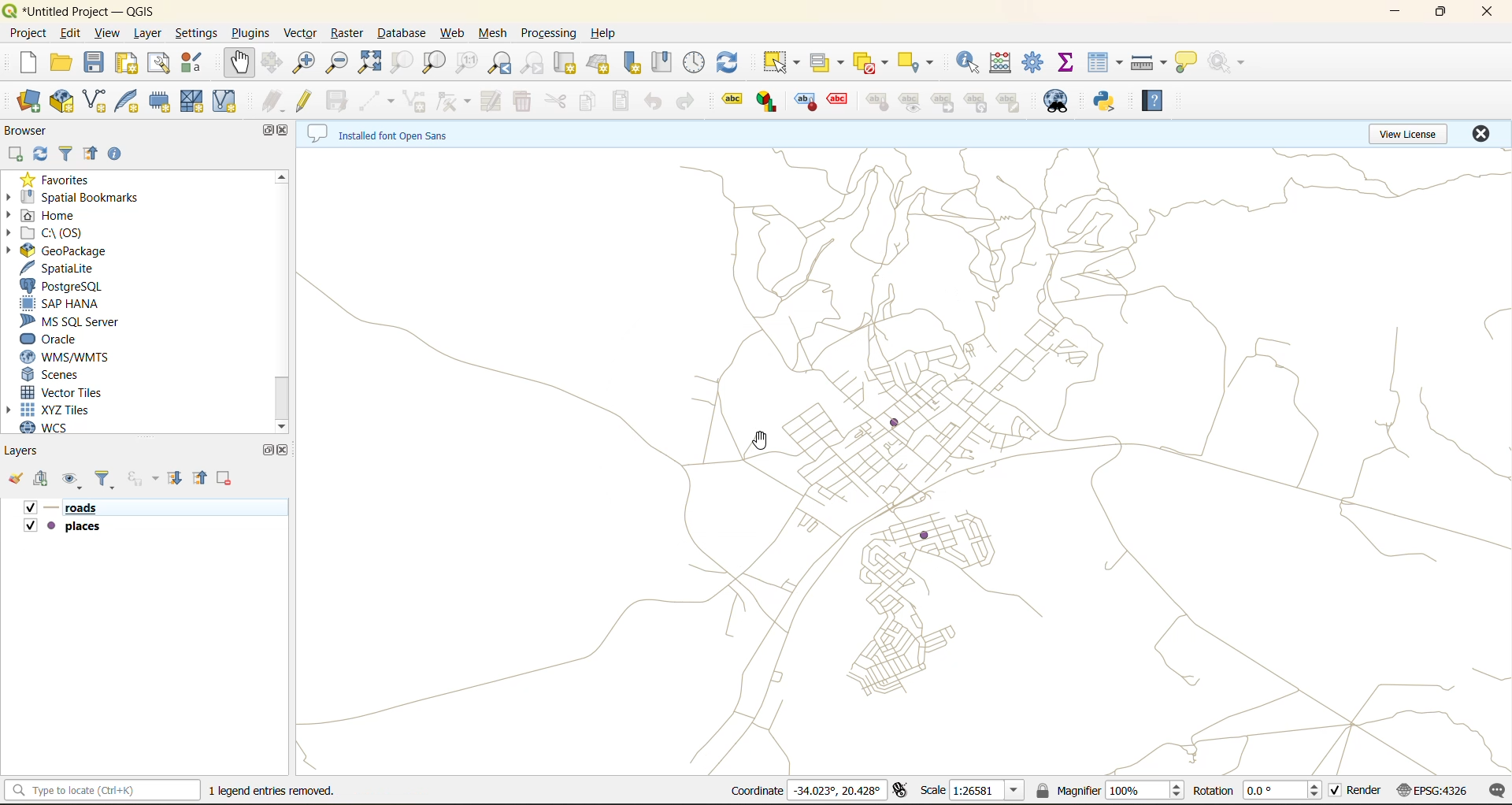 This screenshot has width=1512, height=805. I want to click on zoom out, so click(339, 65).